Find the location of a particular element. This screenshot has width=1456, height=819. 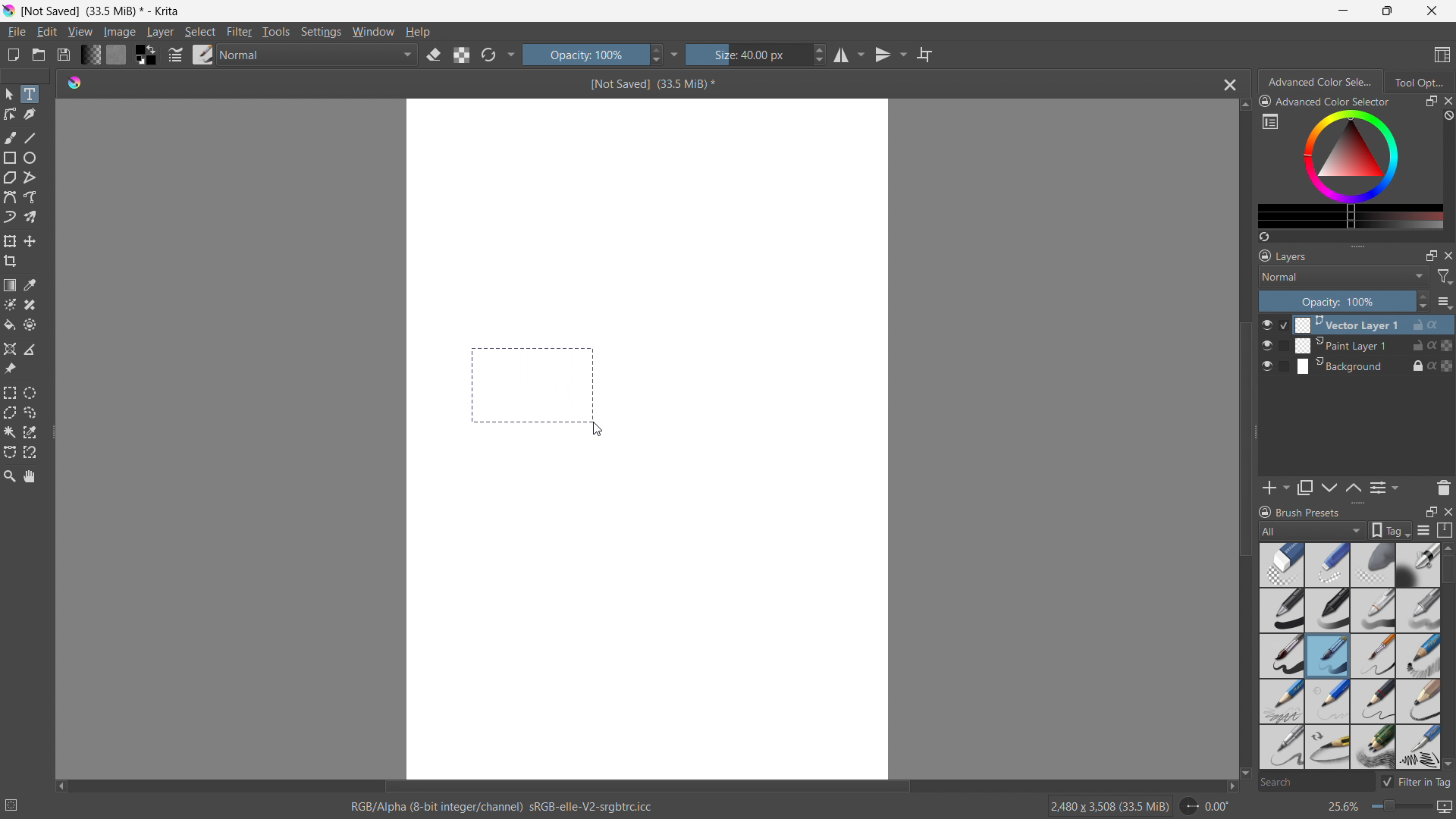

caligraphy tool is located at coordinates (30, 115).